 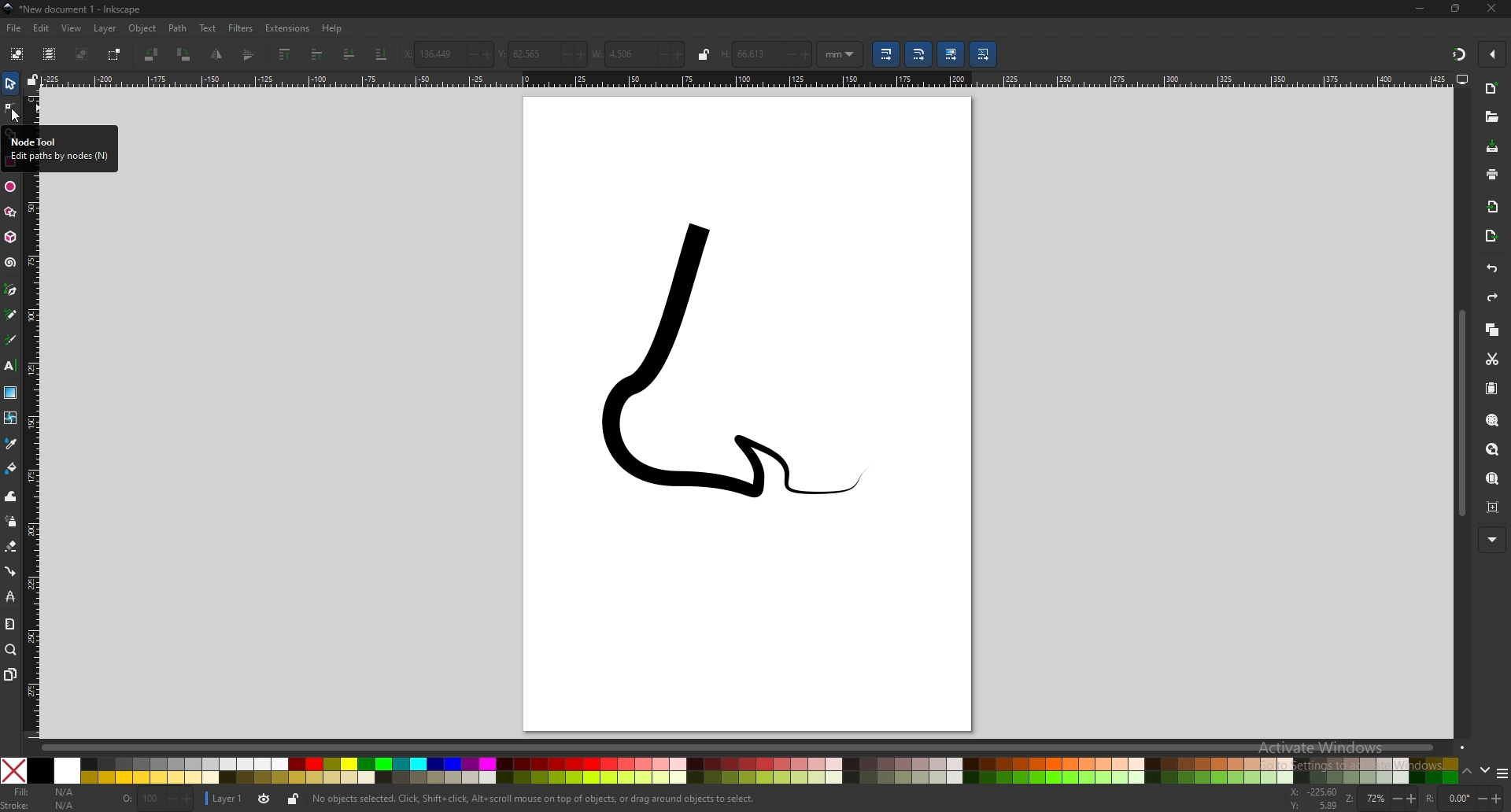 I want to click on measure, so click(x=10, y=625).